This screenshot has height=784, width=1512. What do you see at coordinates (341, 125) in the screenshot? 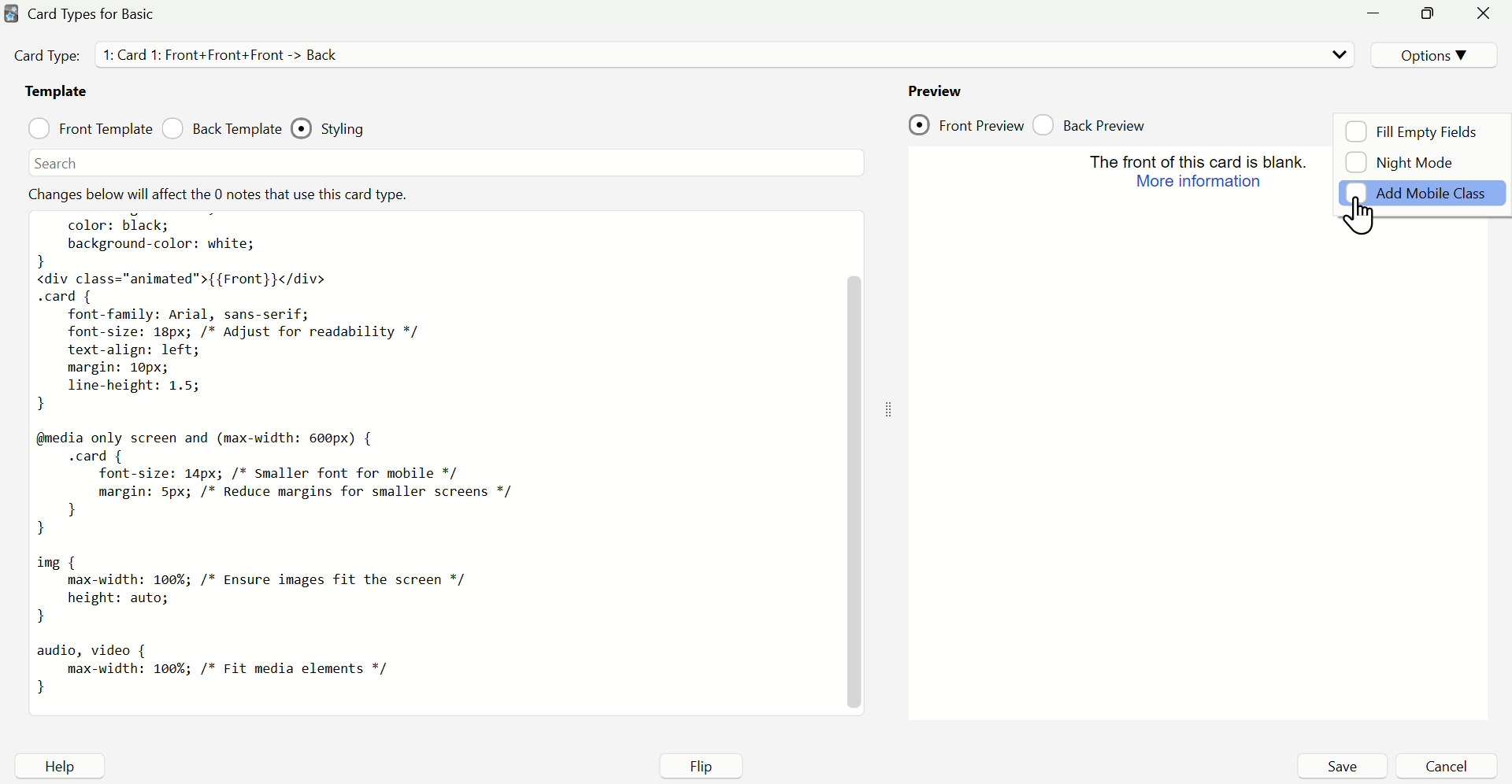
I see `Styling` at bounding box center [341, 125].